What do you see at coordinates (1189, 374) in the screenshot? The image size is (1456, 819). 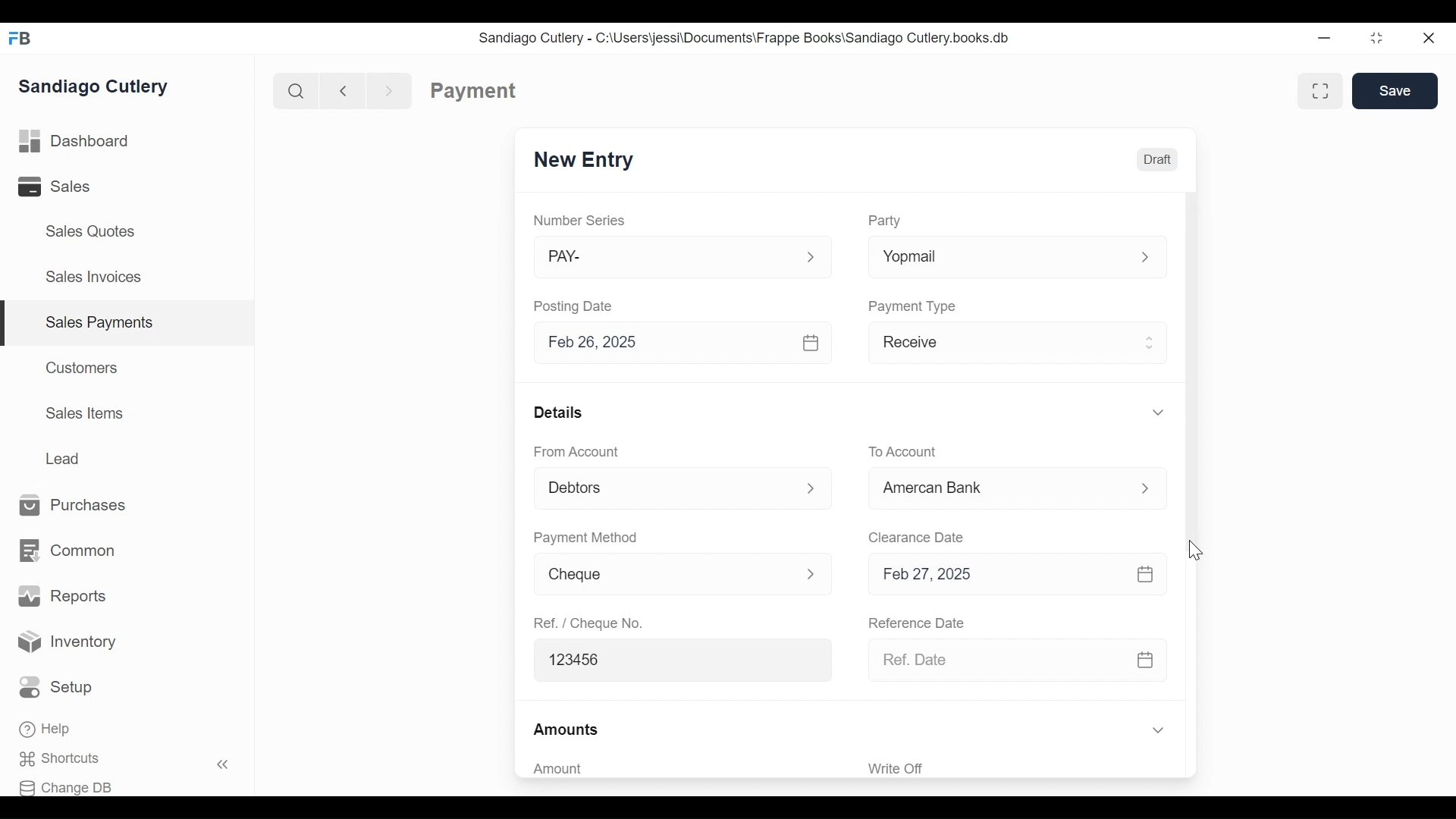 I see `Vertical Scroll bar` at bounding box center [1189, 374].